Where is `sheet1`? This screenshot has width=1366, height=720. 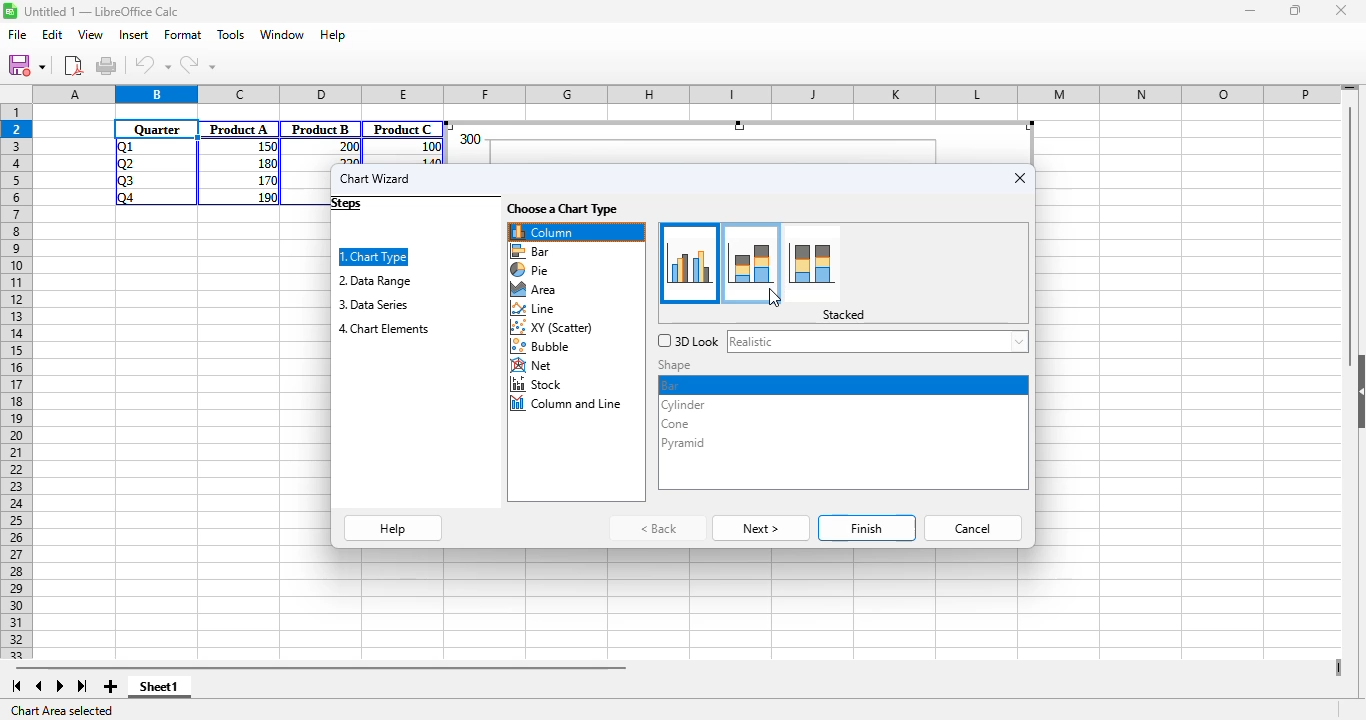 sheet1 is located at coordinates (159, 687).